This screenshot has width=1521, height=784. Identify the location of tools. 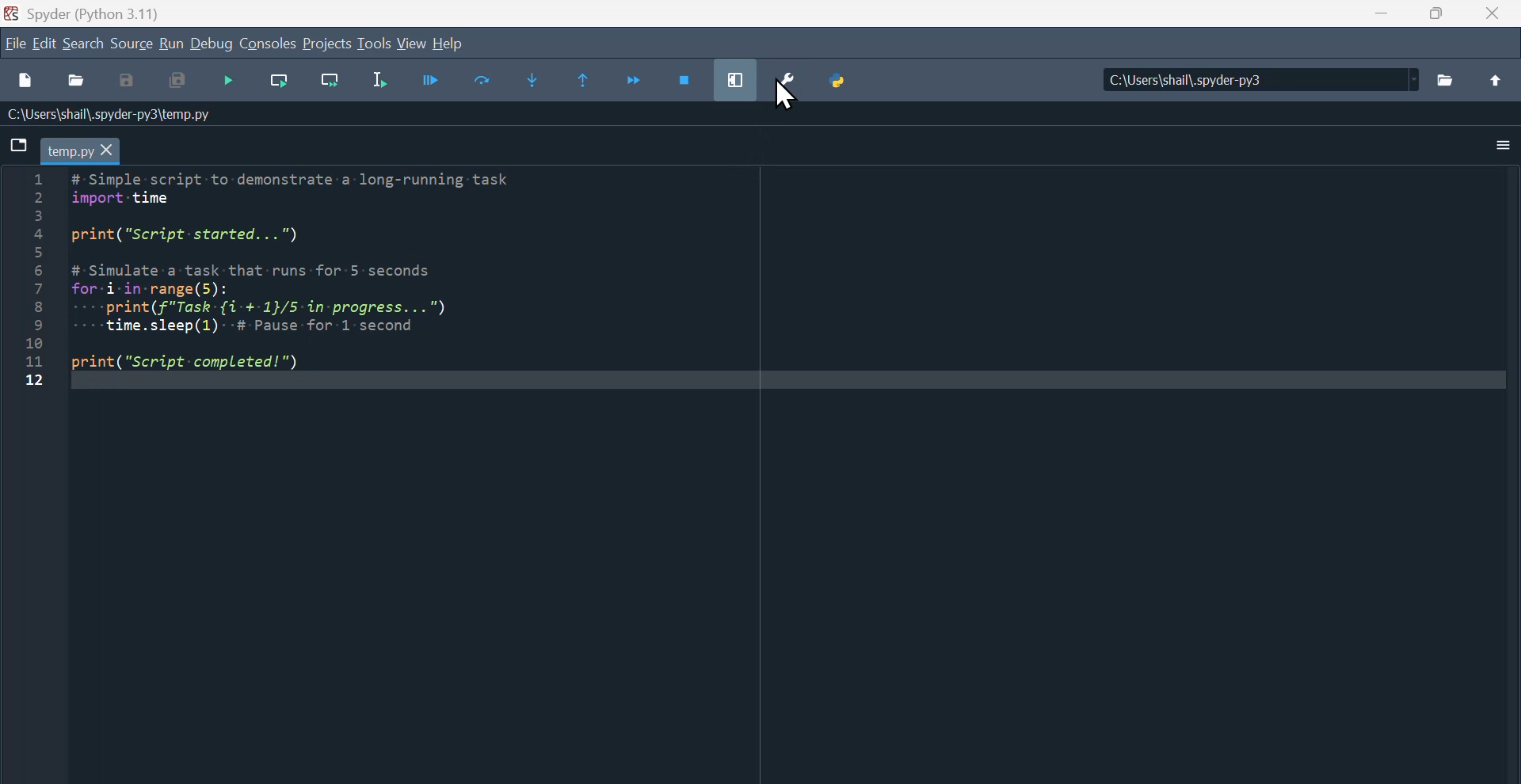
(375, 47).